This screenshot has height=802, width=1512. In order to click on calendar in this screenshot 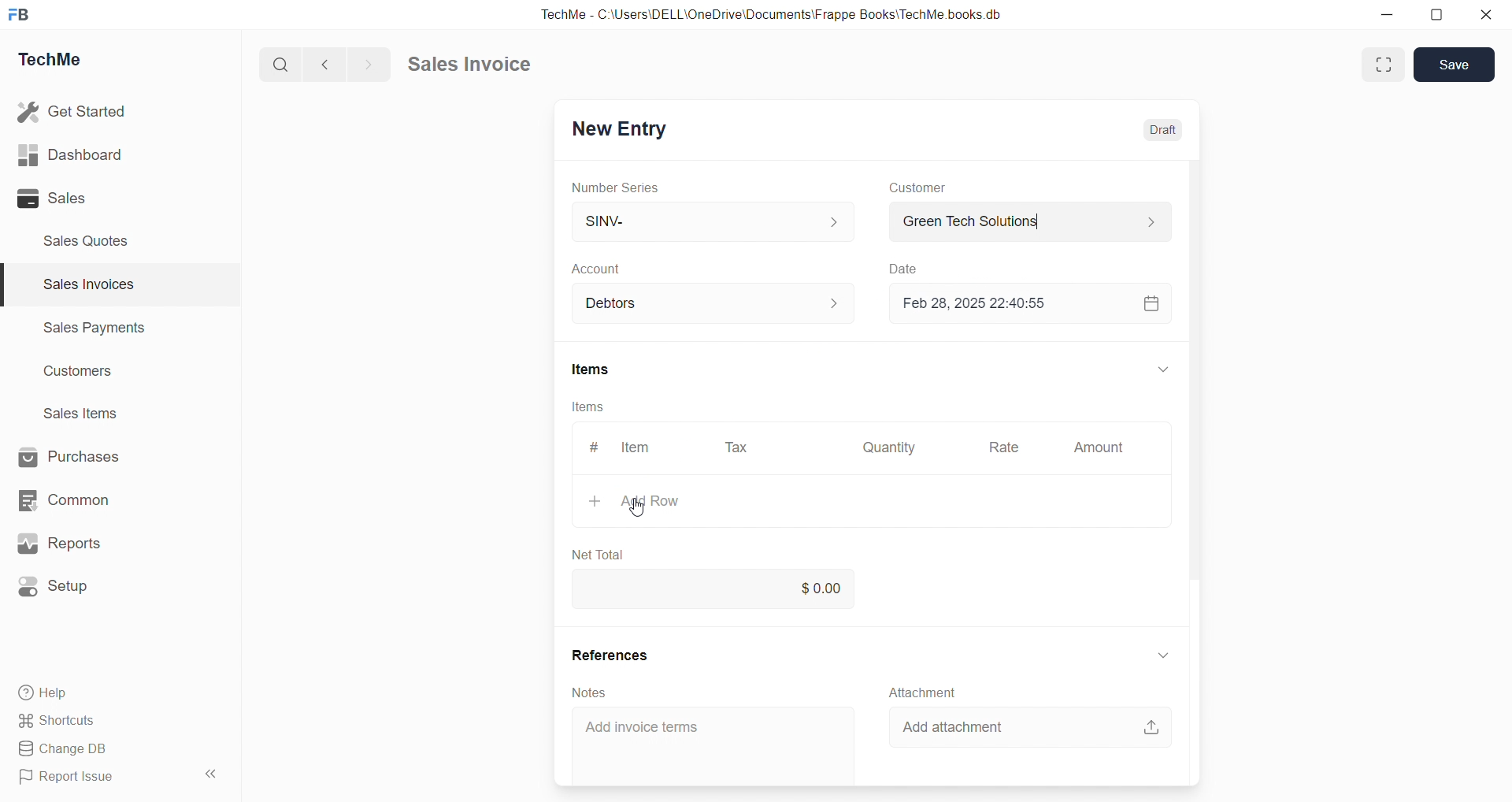, I will do `click(1151, 303)`.